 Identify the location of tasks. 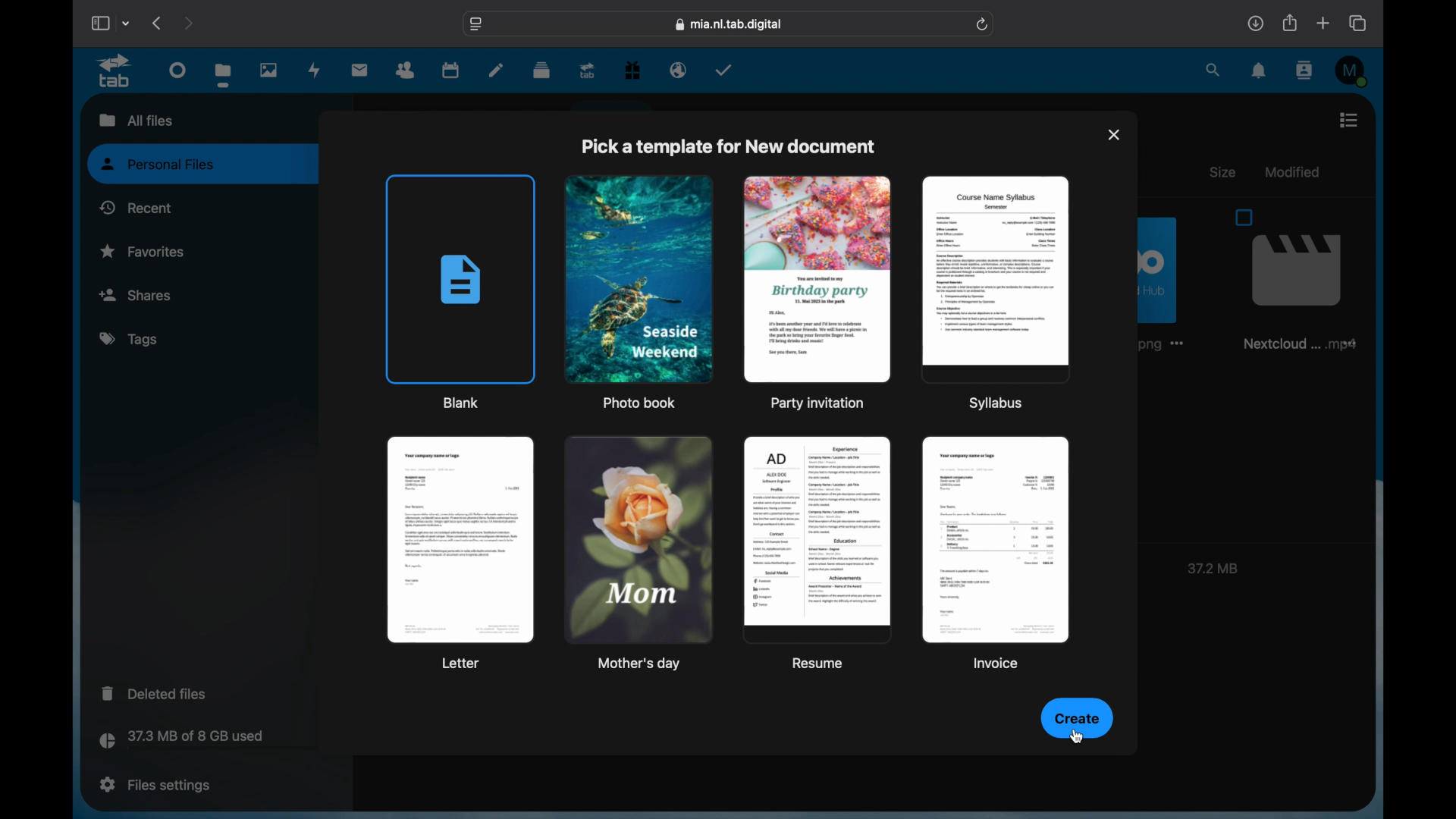
(724, 70).